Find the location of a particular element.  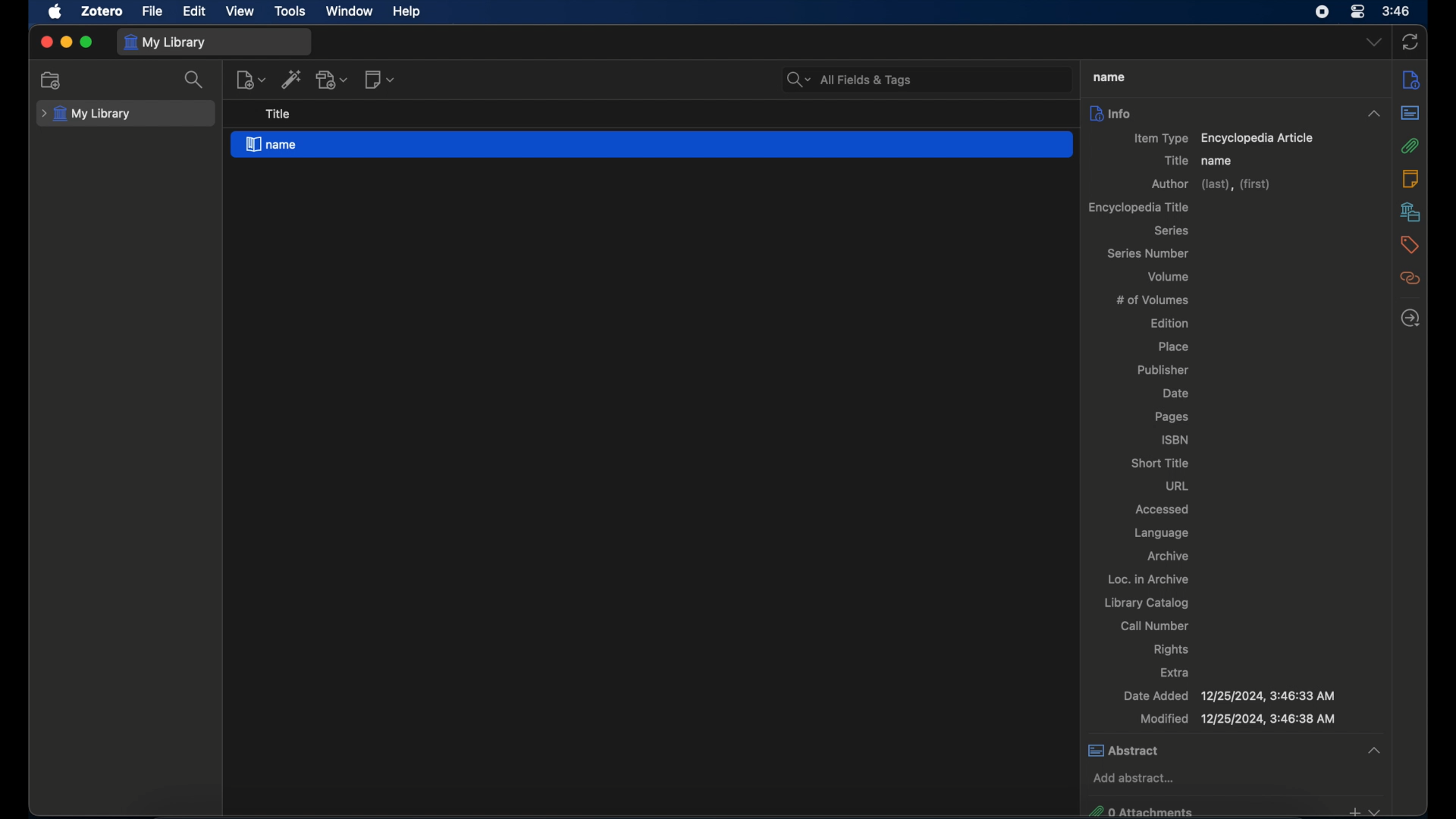

search bar is located at coordinates (850, 80).